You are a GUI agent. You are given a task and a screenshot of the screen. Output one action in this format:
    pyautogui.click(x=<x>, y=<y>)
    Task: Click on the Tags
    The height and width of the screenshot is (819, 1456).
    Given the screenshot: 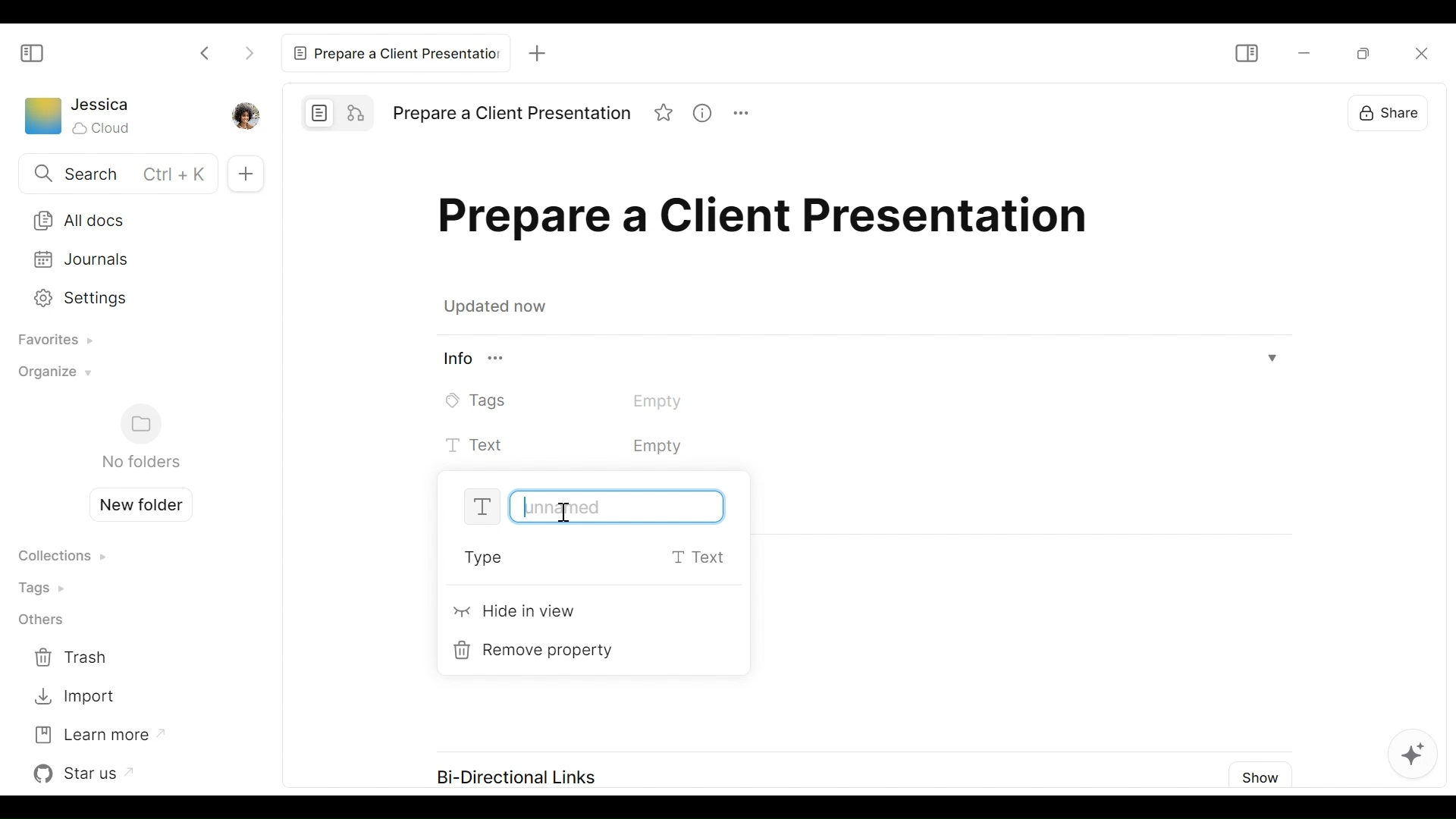 What is the action you would take?
    pyautogui.click(x=46, y=587)
    